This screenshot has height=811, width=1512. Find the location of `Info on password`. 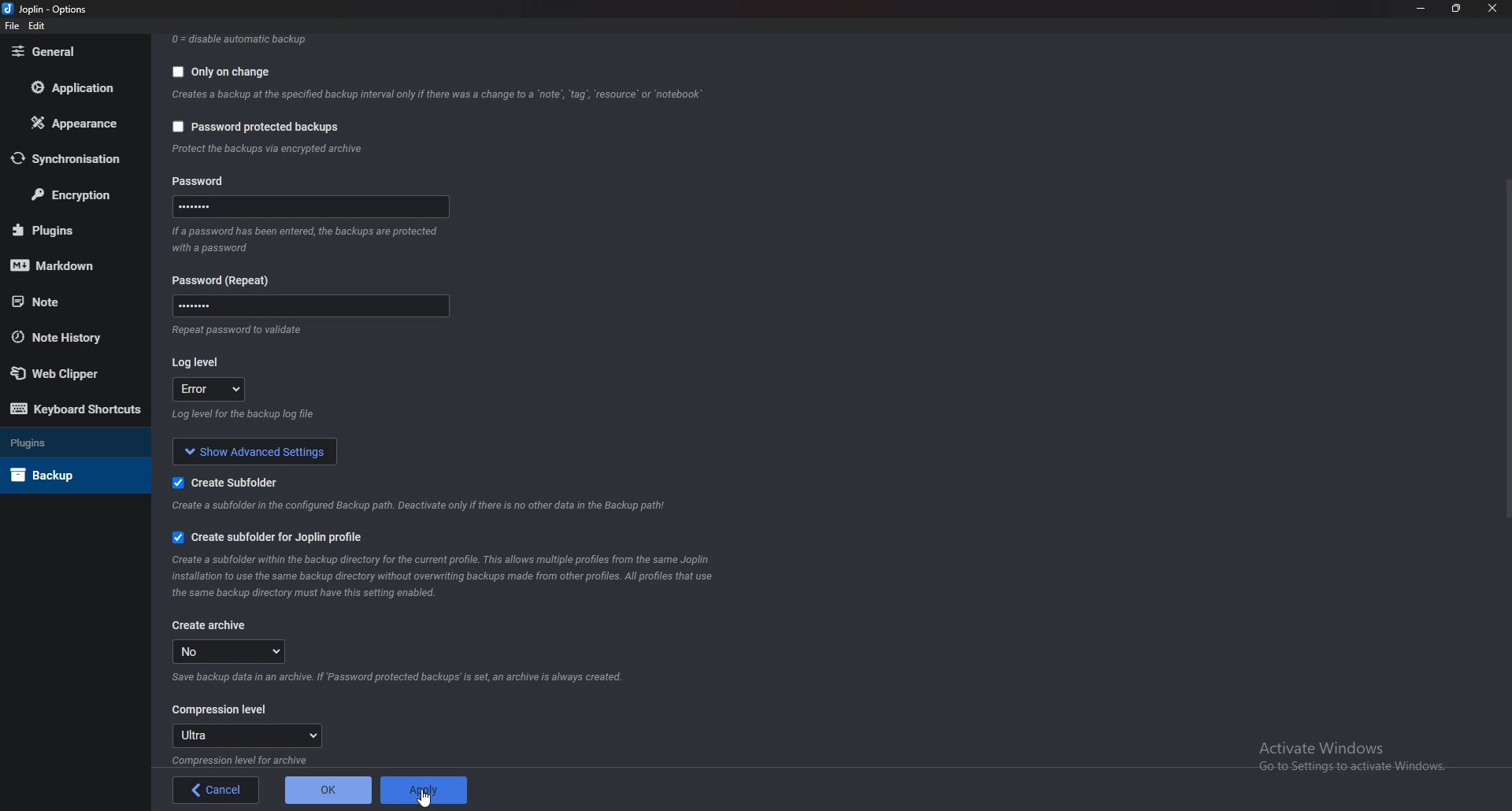

Info on password is located at coordinates (308, 243).